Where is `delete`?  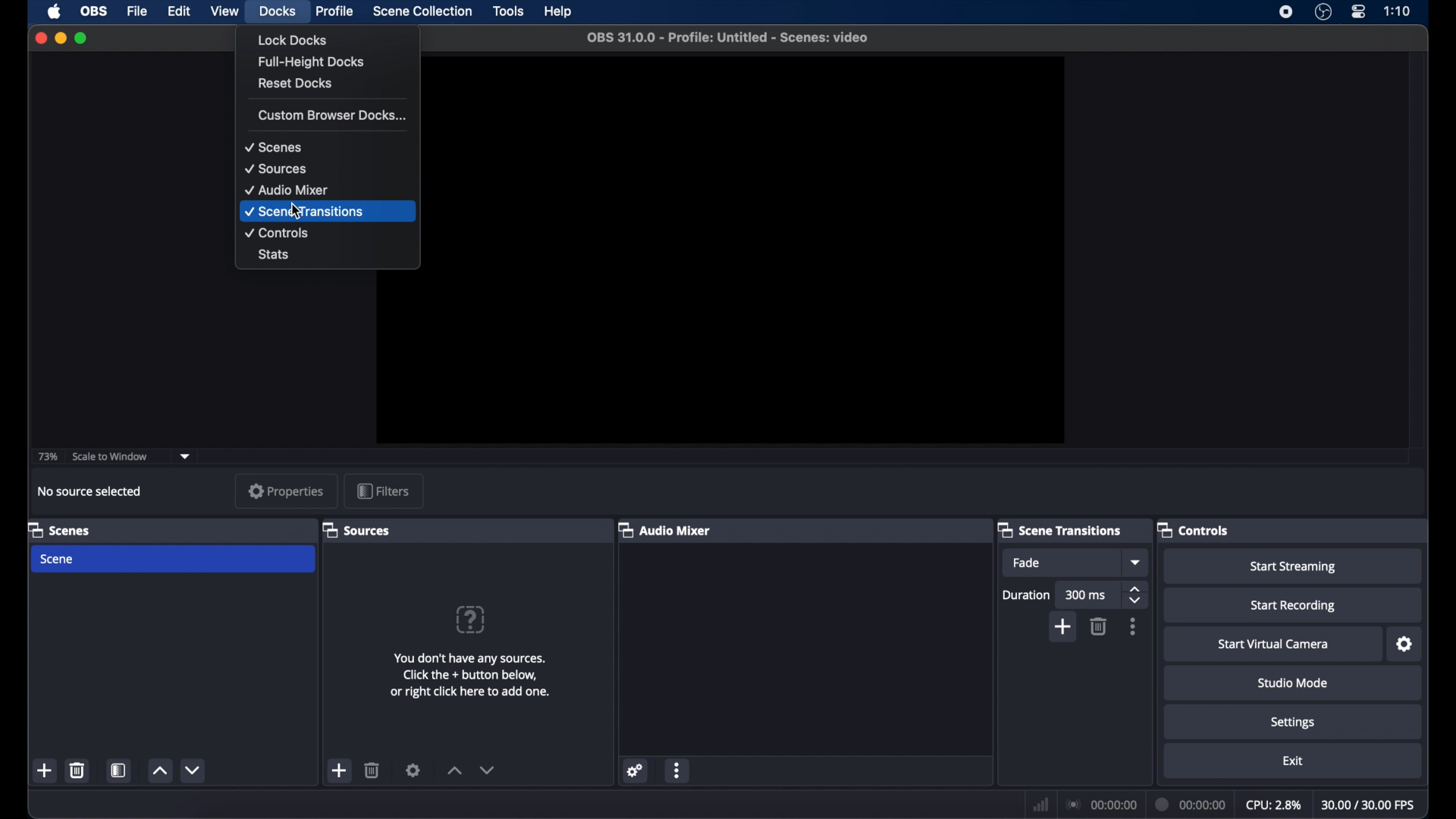
delete is located at coordinates (372, 770).